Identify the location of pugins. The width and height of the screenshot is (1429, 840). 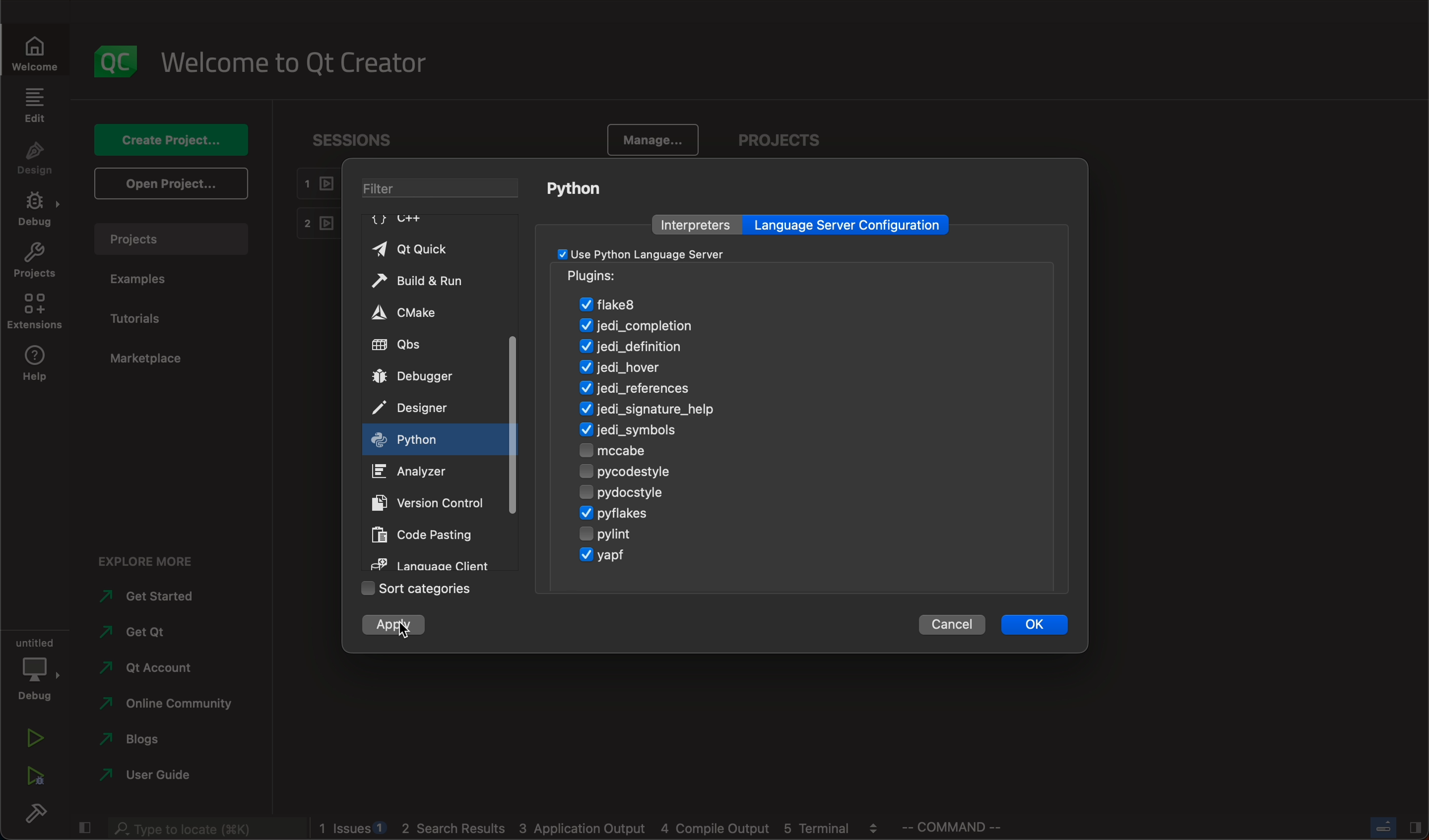
(591, 277).